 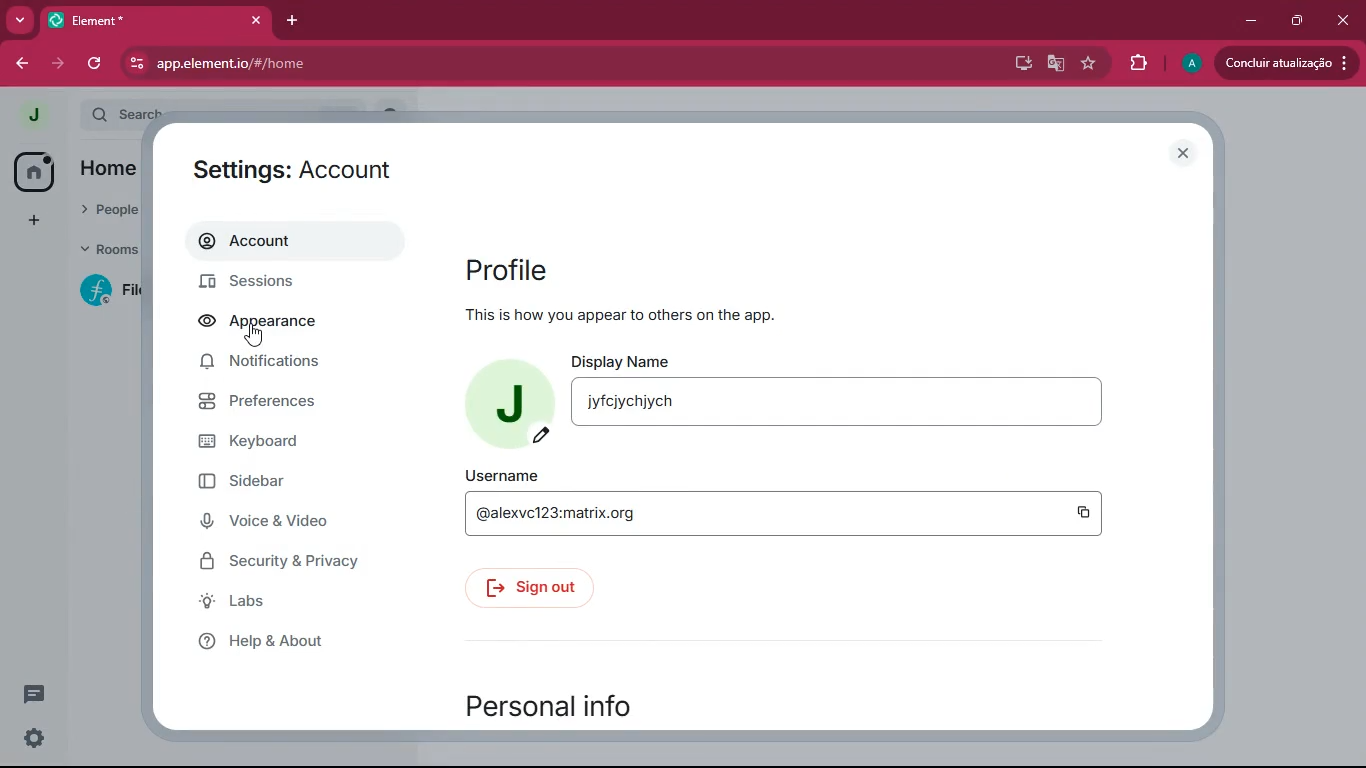 I want to click on username, so click(x=773, y=516).